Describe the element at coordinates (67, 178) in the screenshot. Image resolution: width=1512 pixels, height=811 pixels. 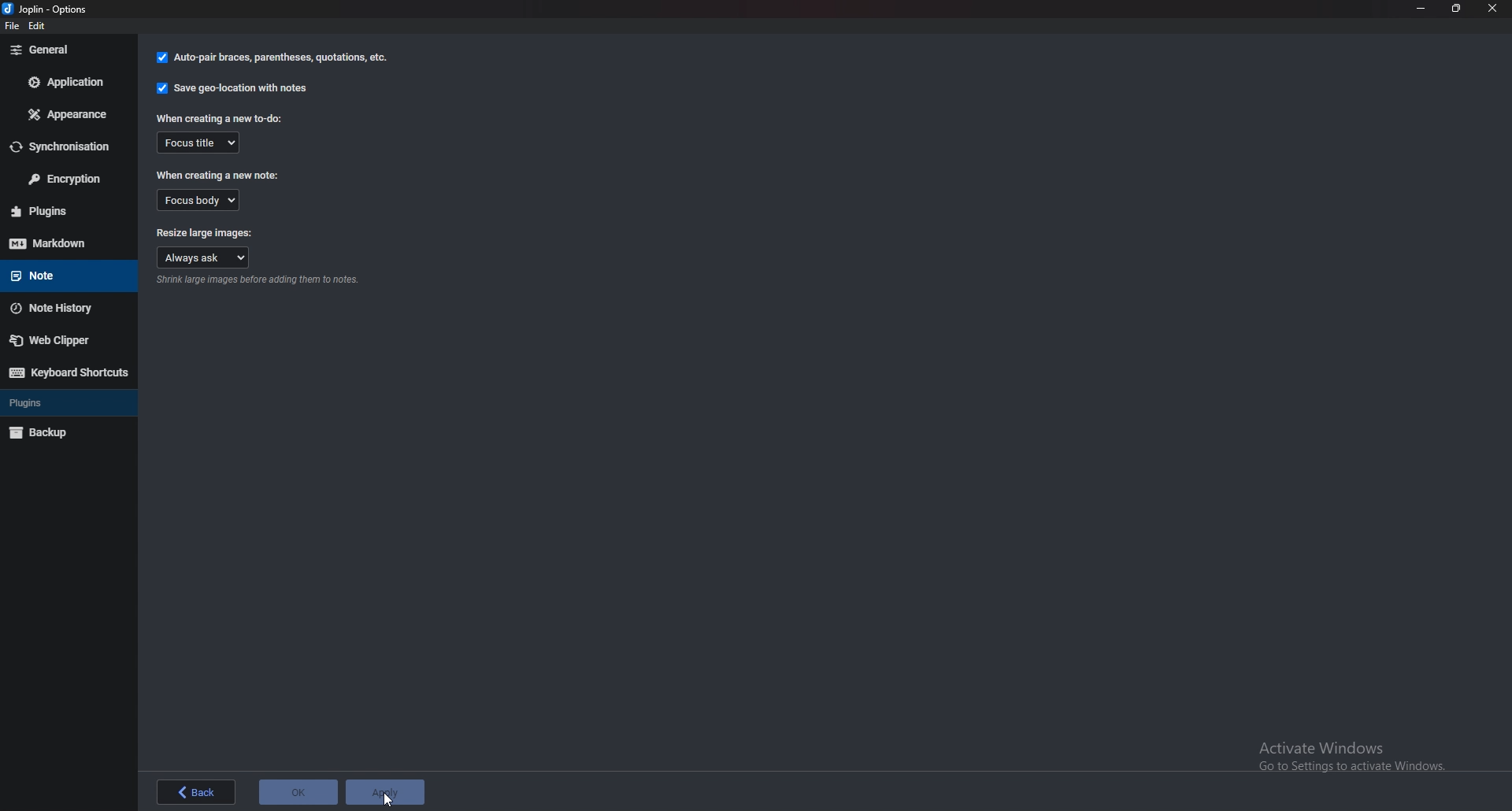
I see `Encryption` at that location.